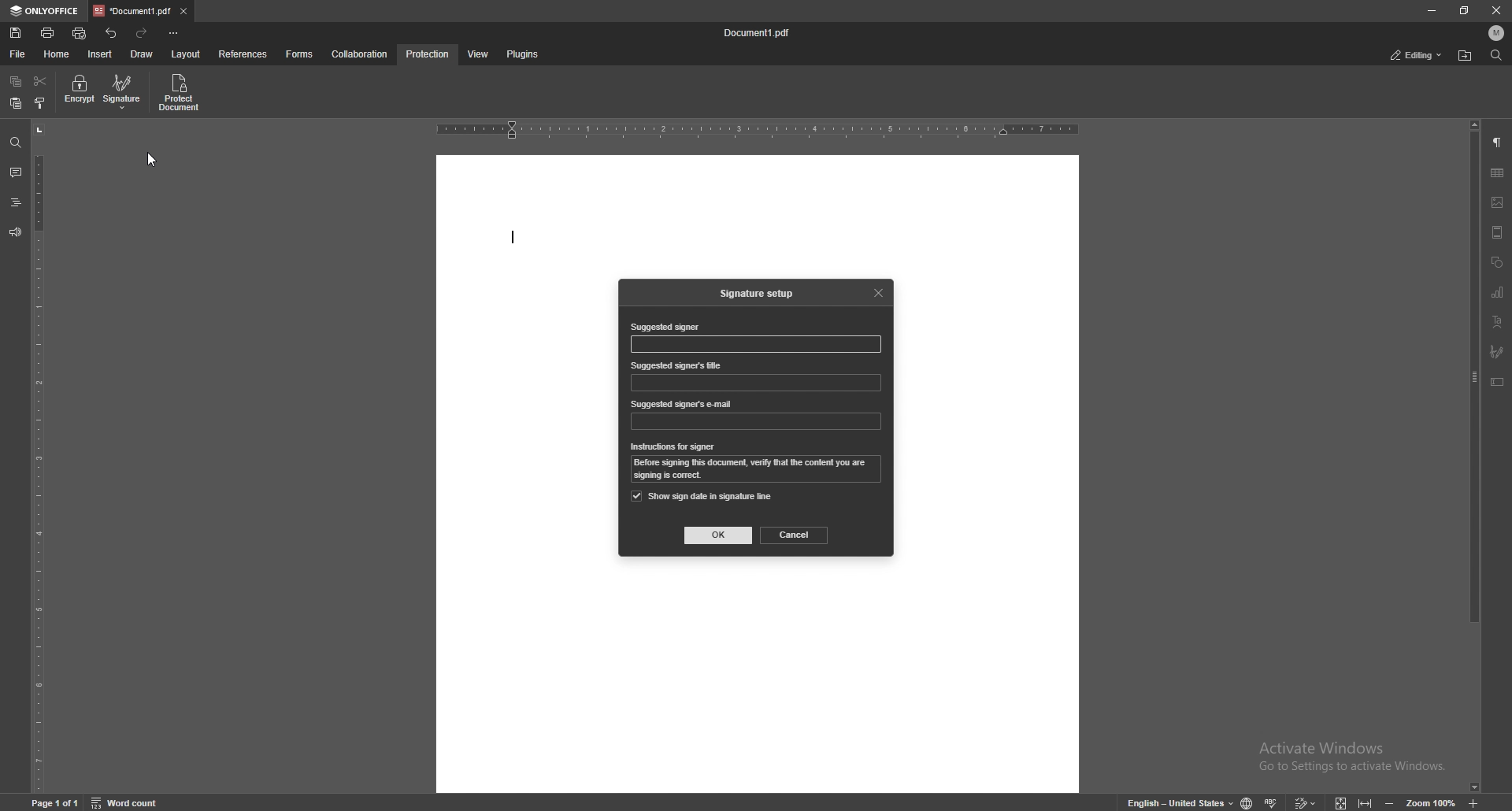  What do you see at coordinates (301, 54) in the screenshot?
I see `forms` at bounding box center [301, 54].